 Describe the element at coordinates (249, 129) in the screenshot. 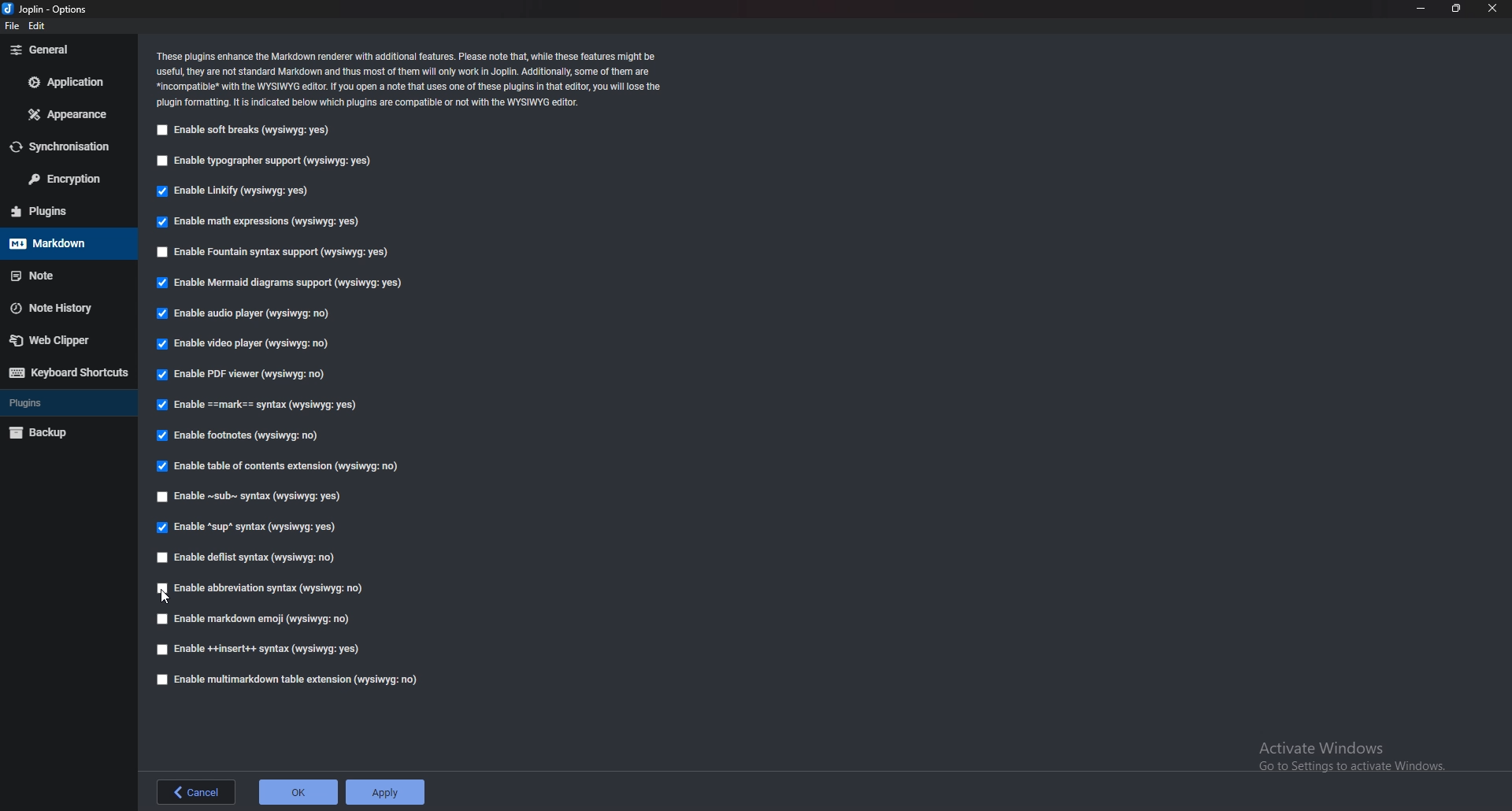

I see `Enable soft breaks (wysiwyg: yes)` at that location.